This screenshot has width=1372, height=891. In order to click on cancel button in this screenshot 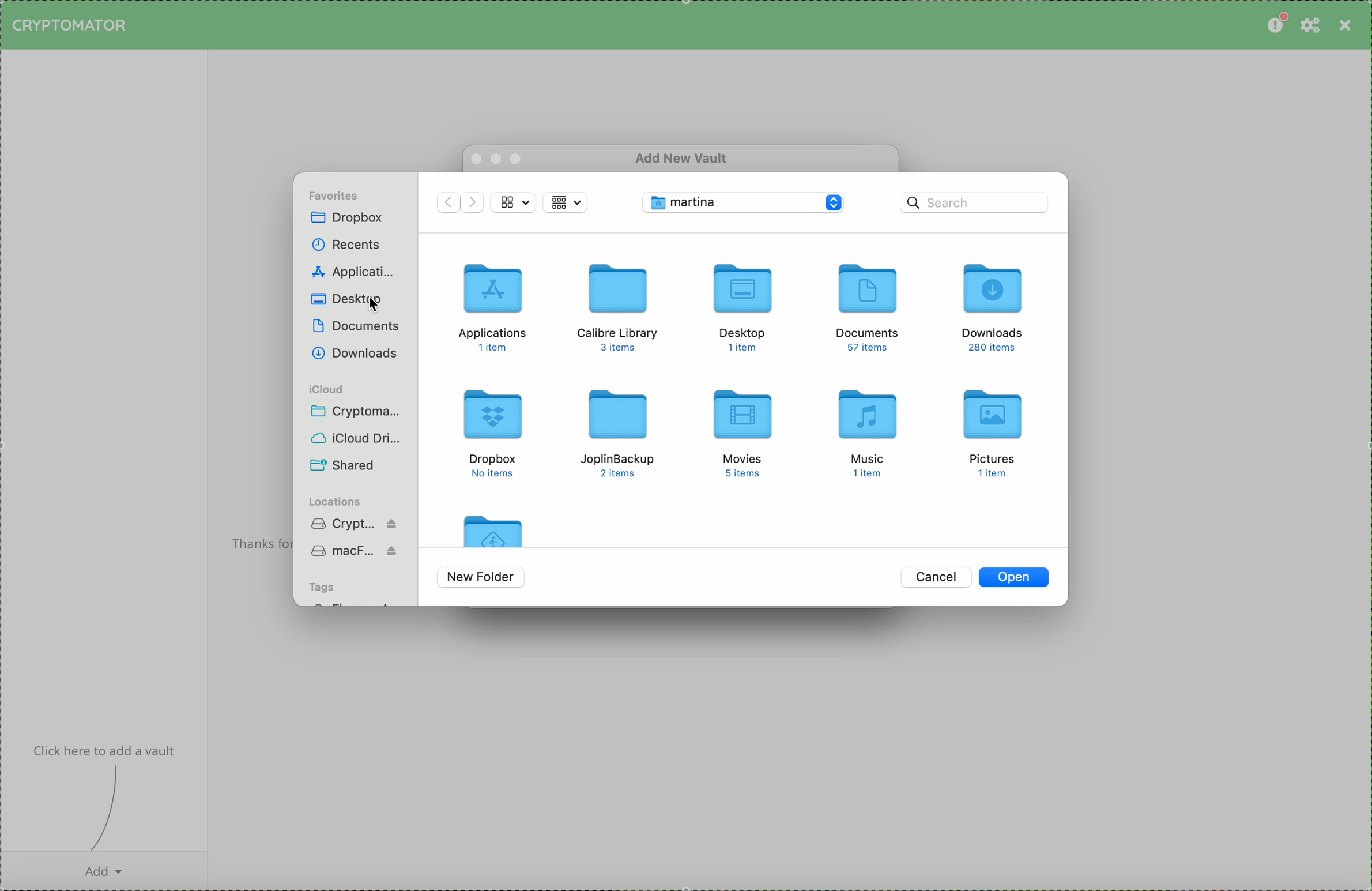, I will do `click(937, 577)`.